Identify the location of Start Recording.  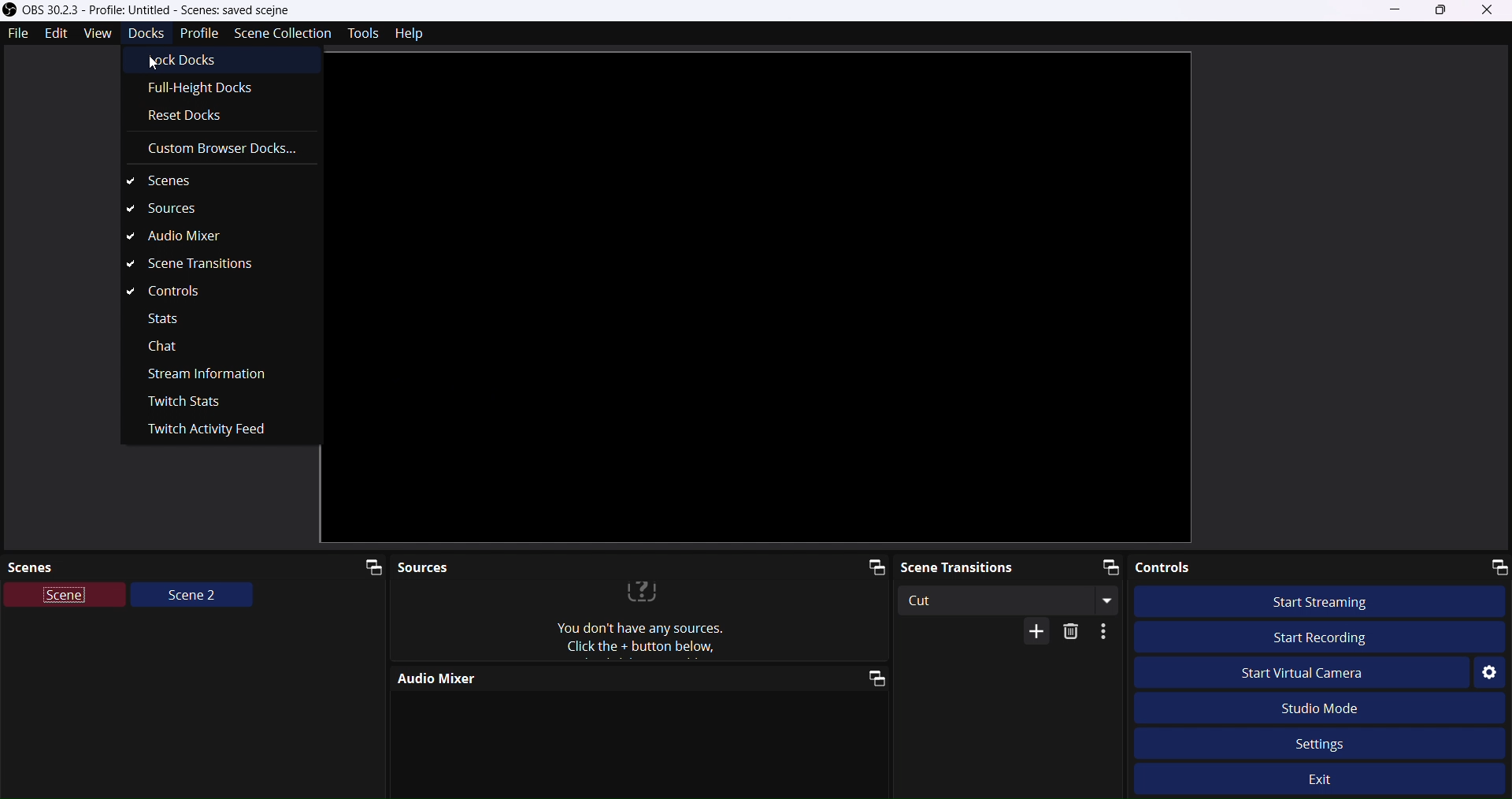
(1314, 634).